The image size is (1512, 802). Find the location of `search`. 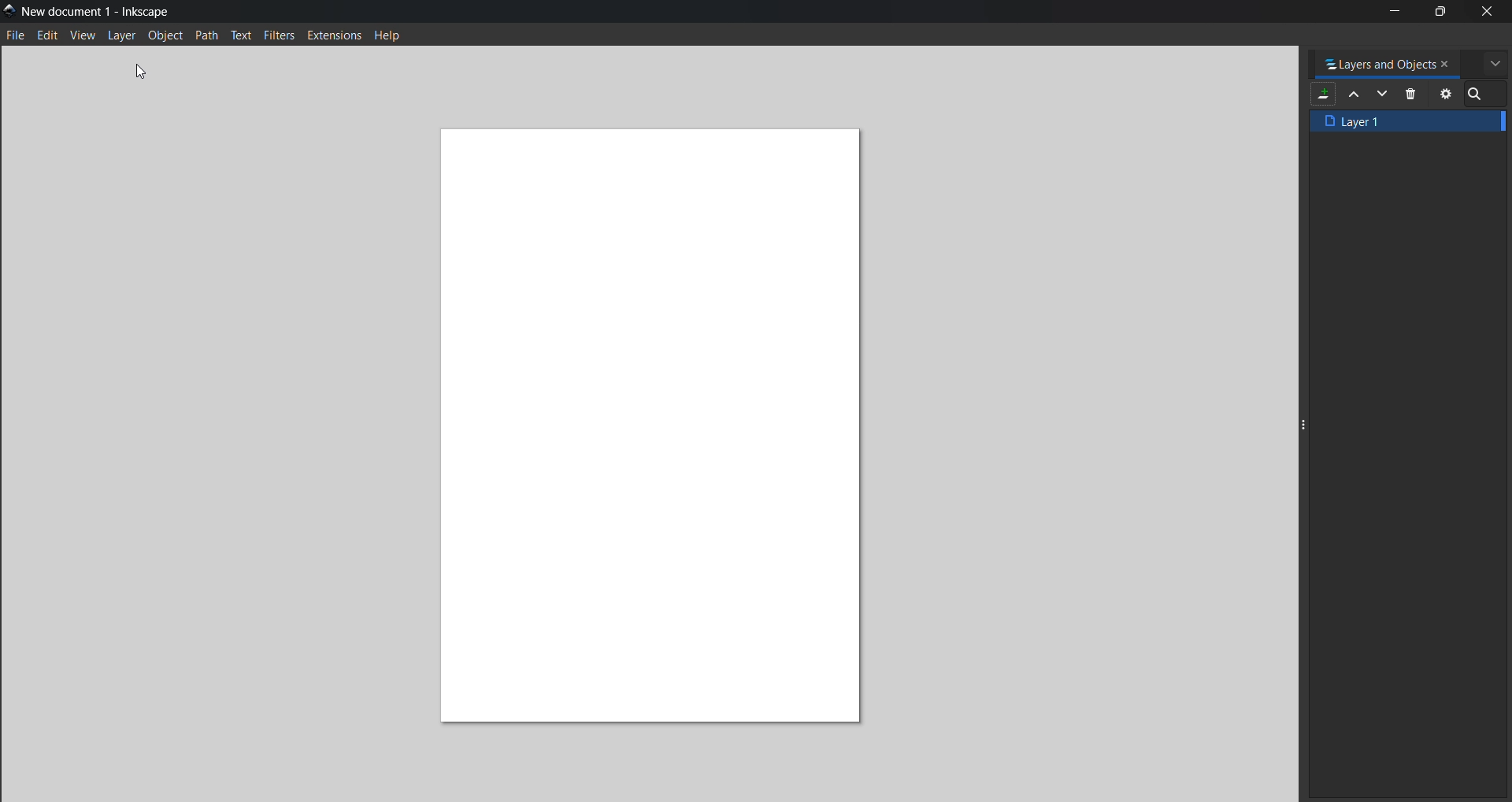

search is located at coordinates (1479, 96).